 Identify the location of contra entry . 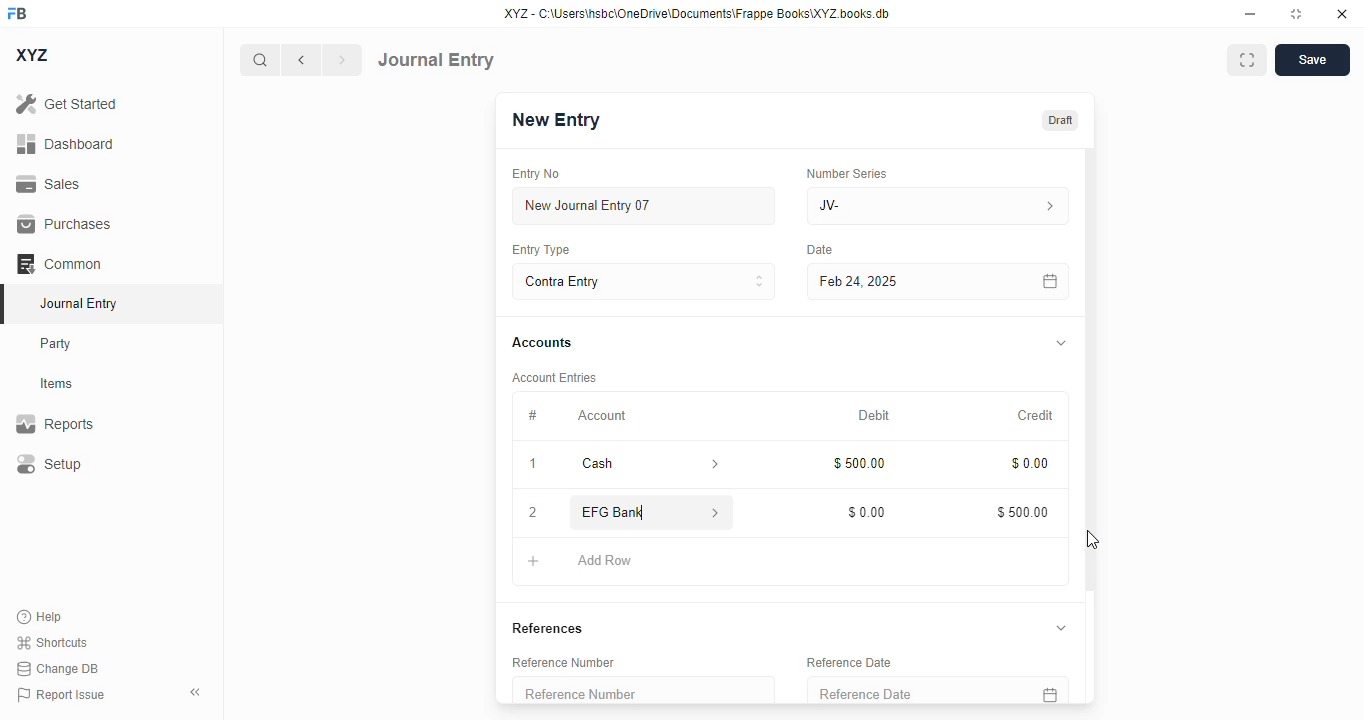
(643, 280).